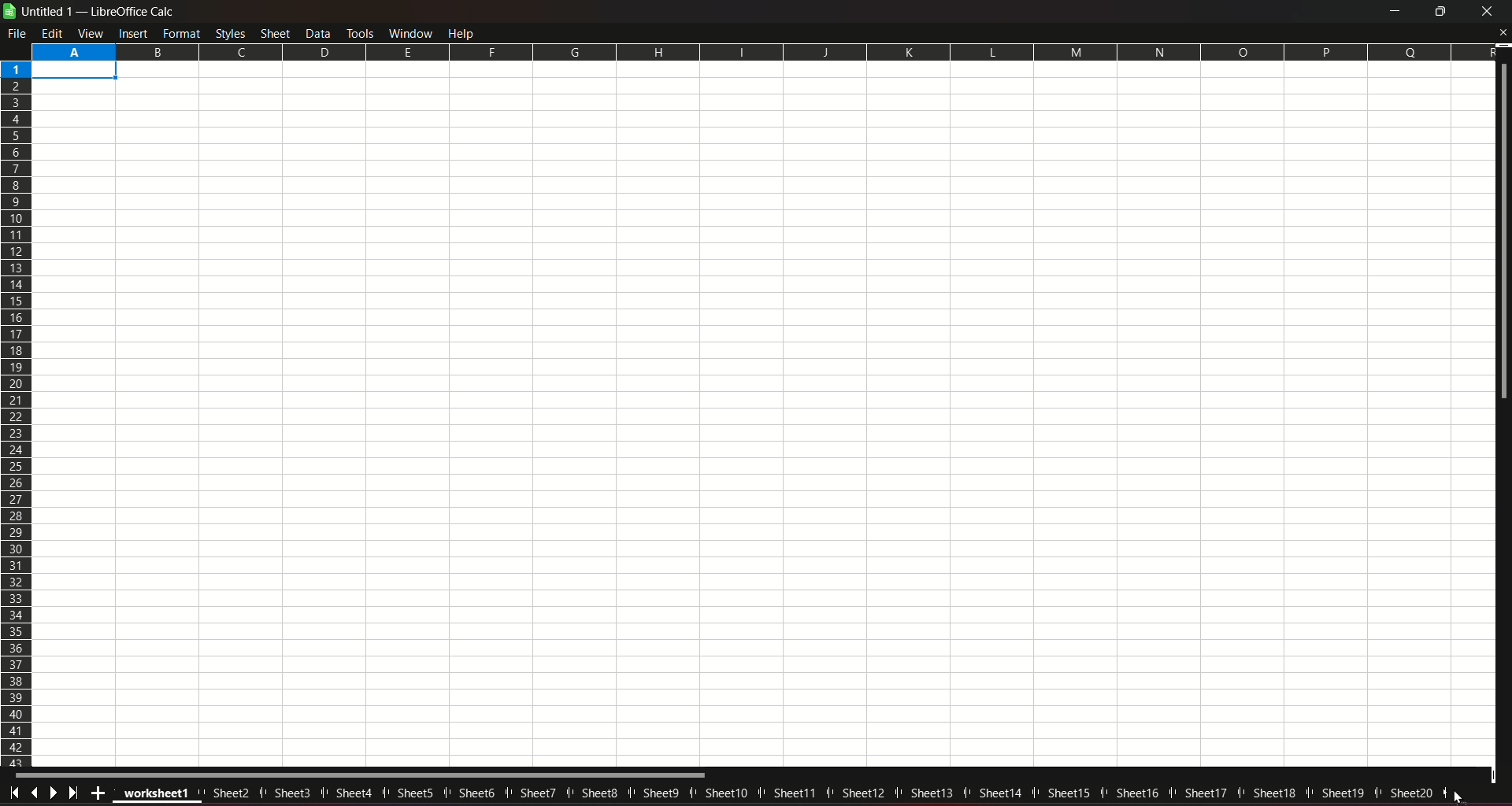 The image size is (1512, 806). Describe the element at coordinates (100, 793) in the screenshot. I see `Add` at that location.